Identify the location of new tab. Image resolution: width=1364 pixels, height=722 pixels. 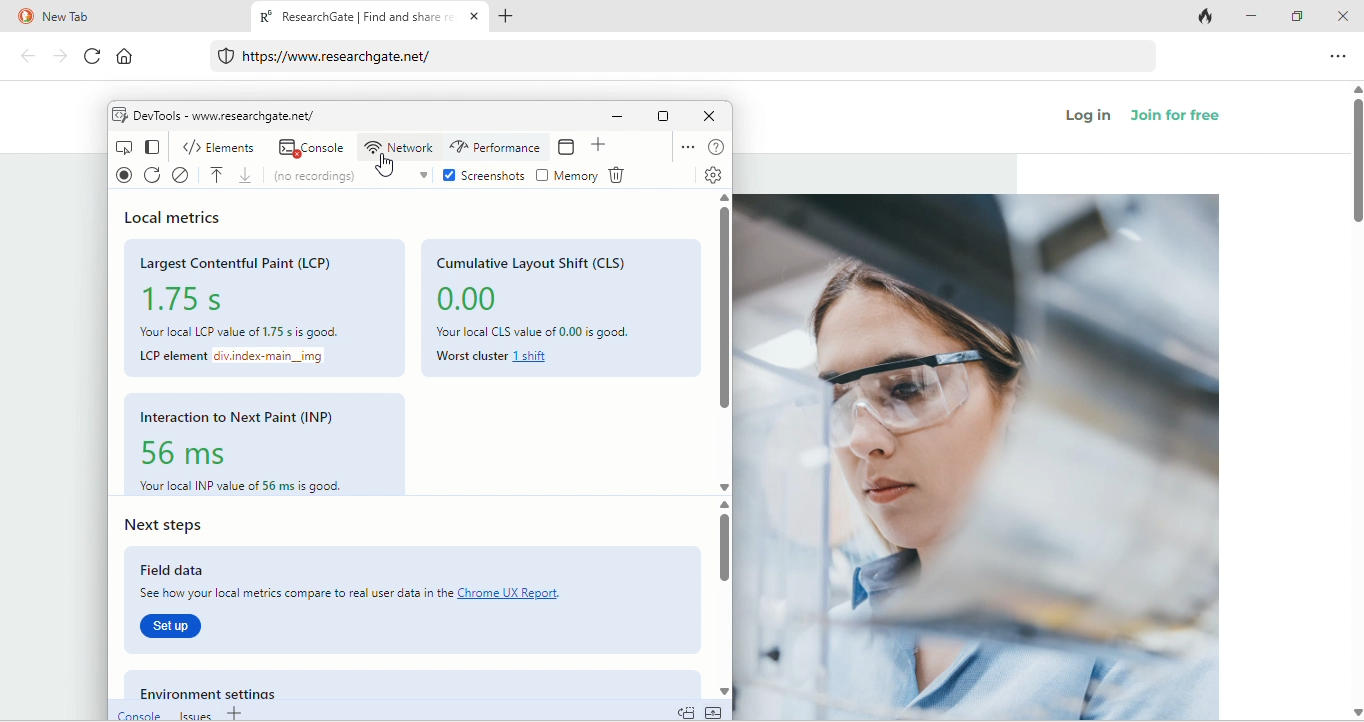
(121, 17).